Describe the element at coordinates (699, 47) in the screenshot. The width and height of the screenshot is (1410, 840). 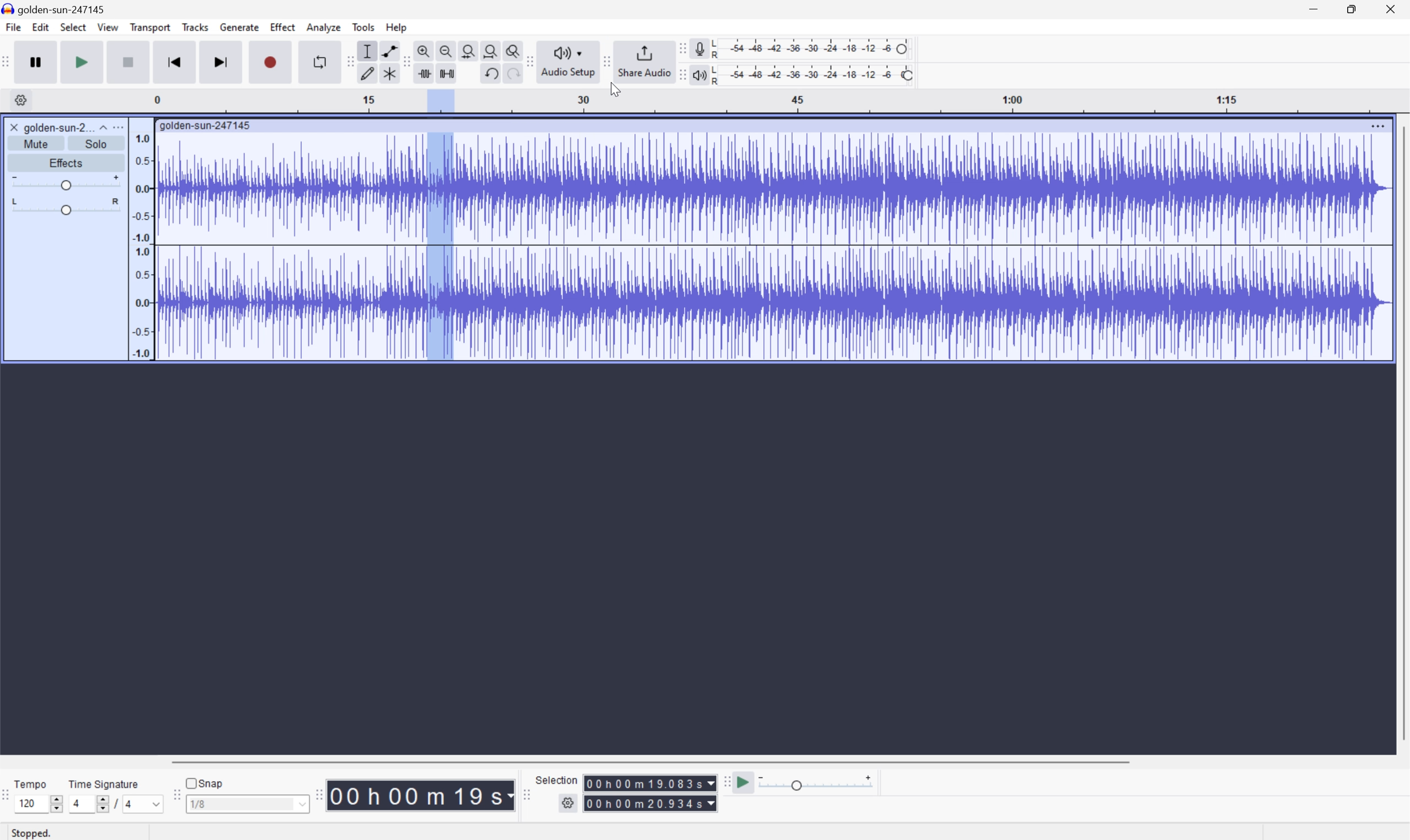
I see `Record Meter ` at that location.